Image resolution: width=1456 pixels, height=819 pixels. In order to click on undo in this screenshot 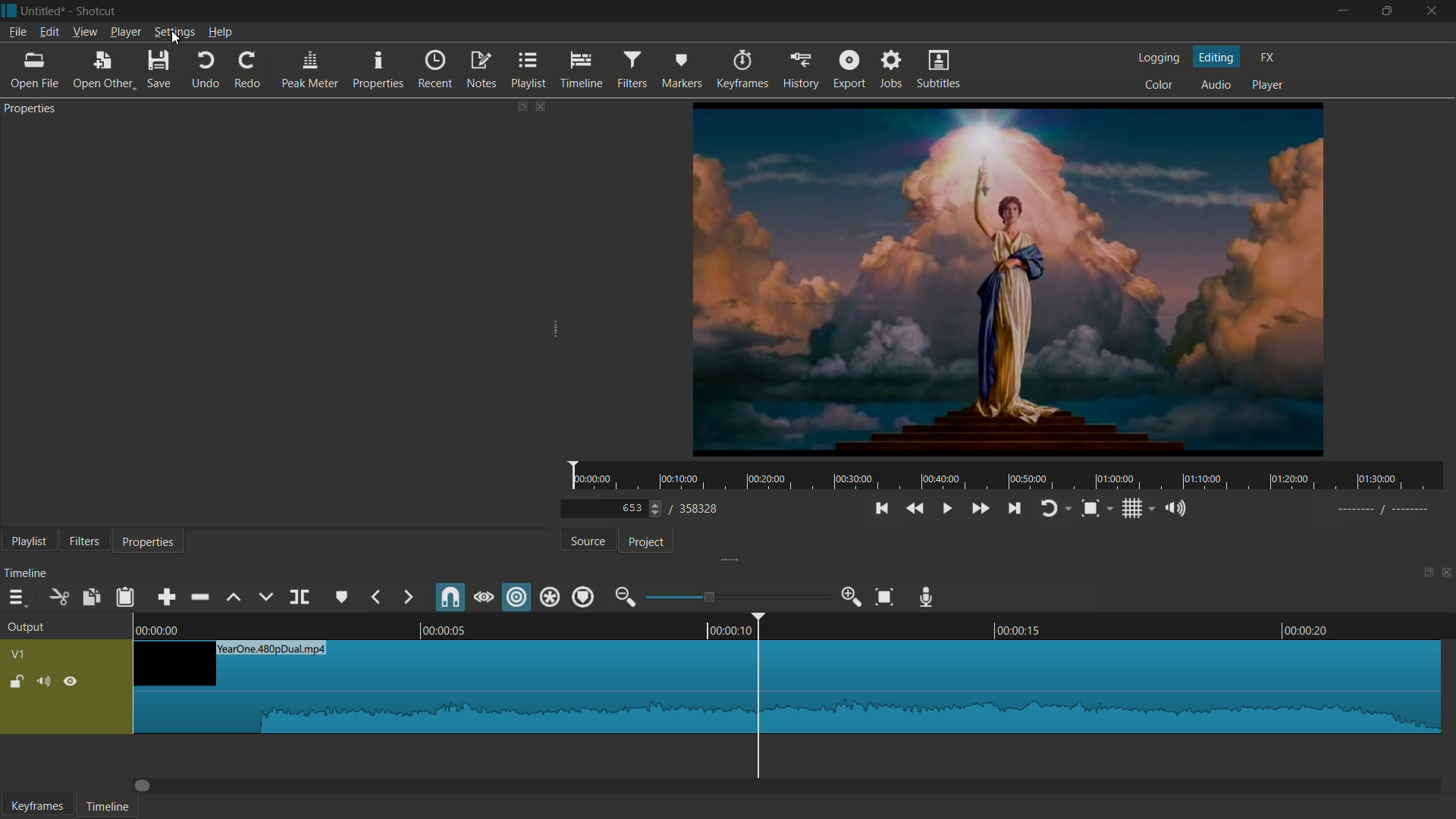, I will do `click(202, 68)`.